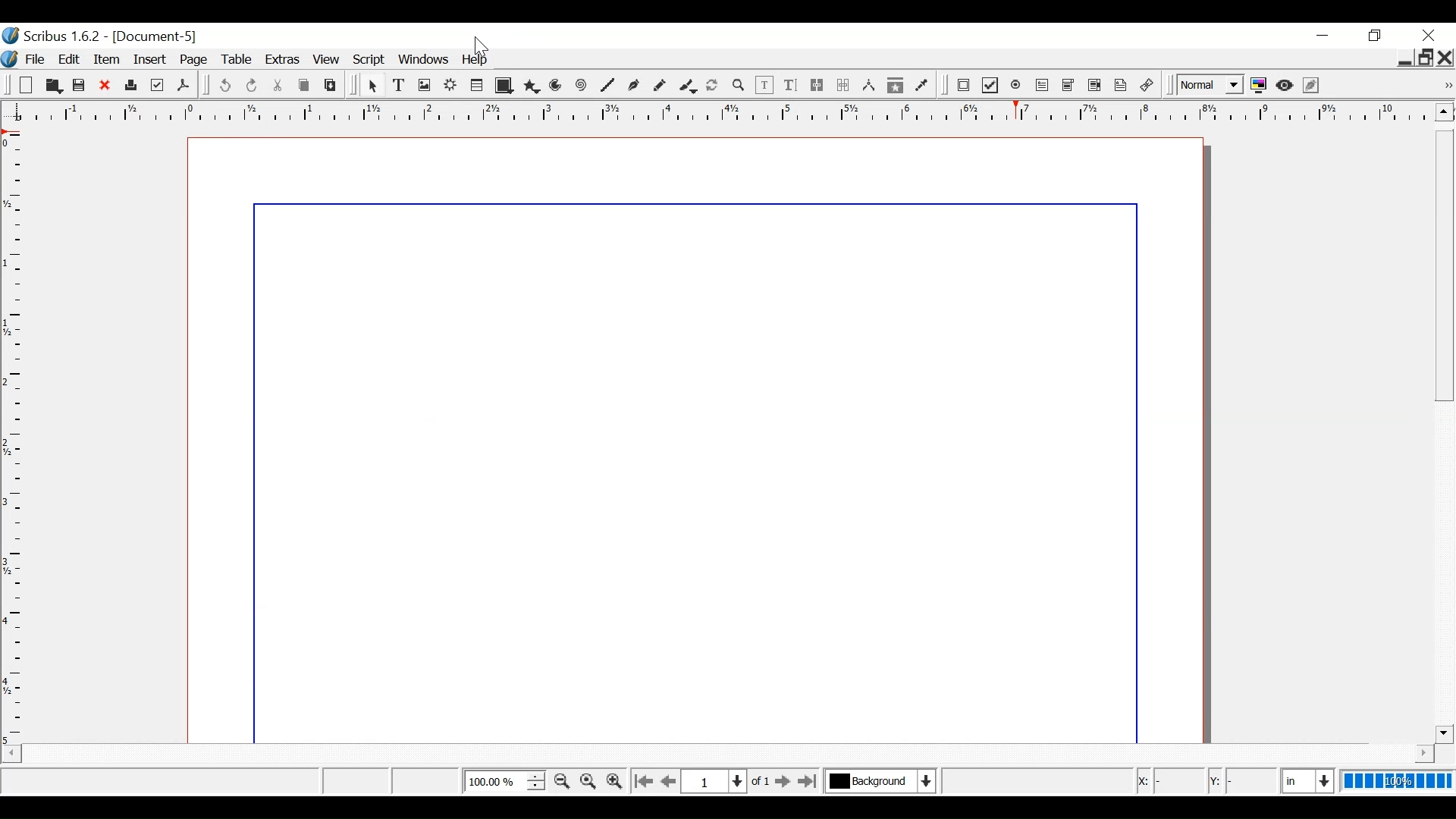 This screenshot has height=819, width=1456. I want to click on Image frame, so click(425, 85).